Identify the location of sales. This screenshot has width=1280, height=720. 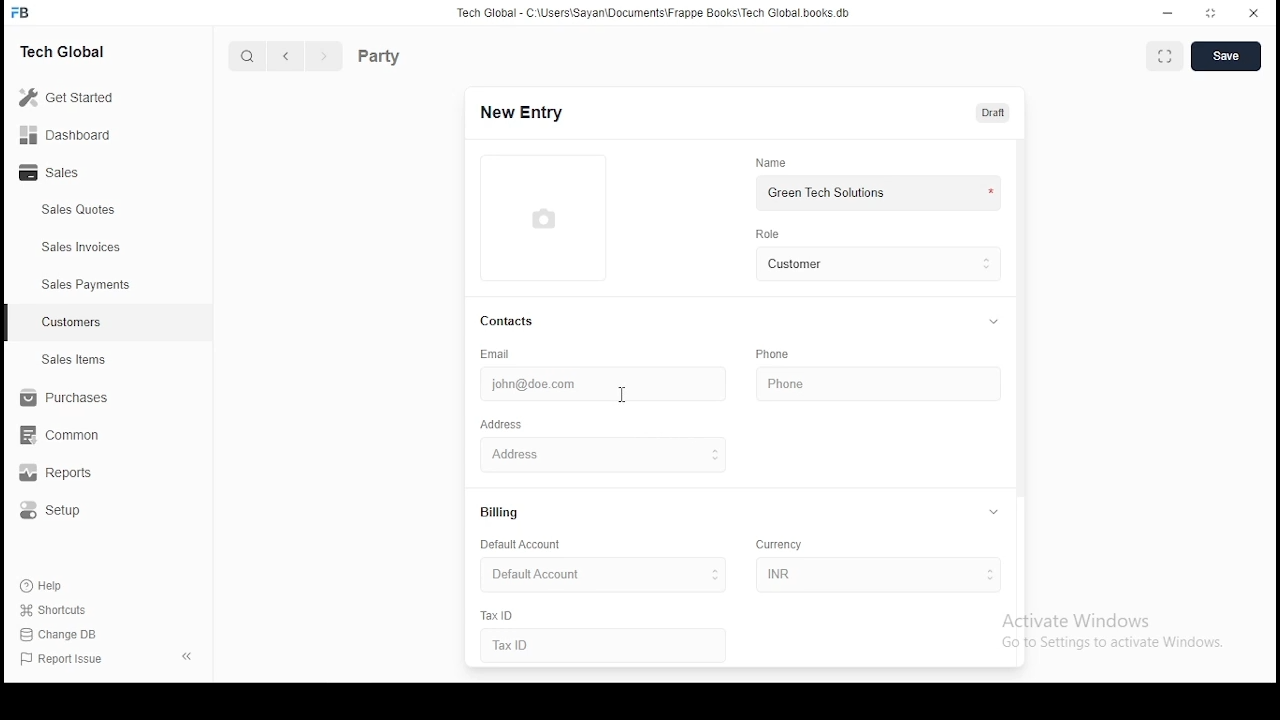
(54, 174).